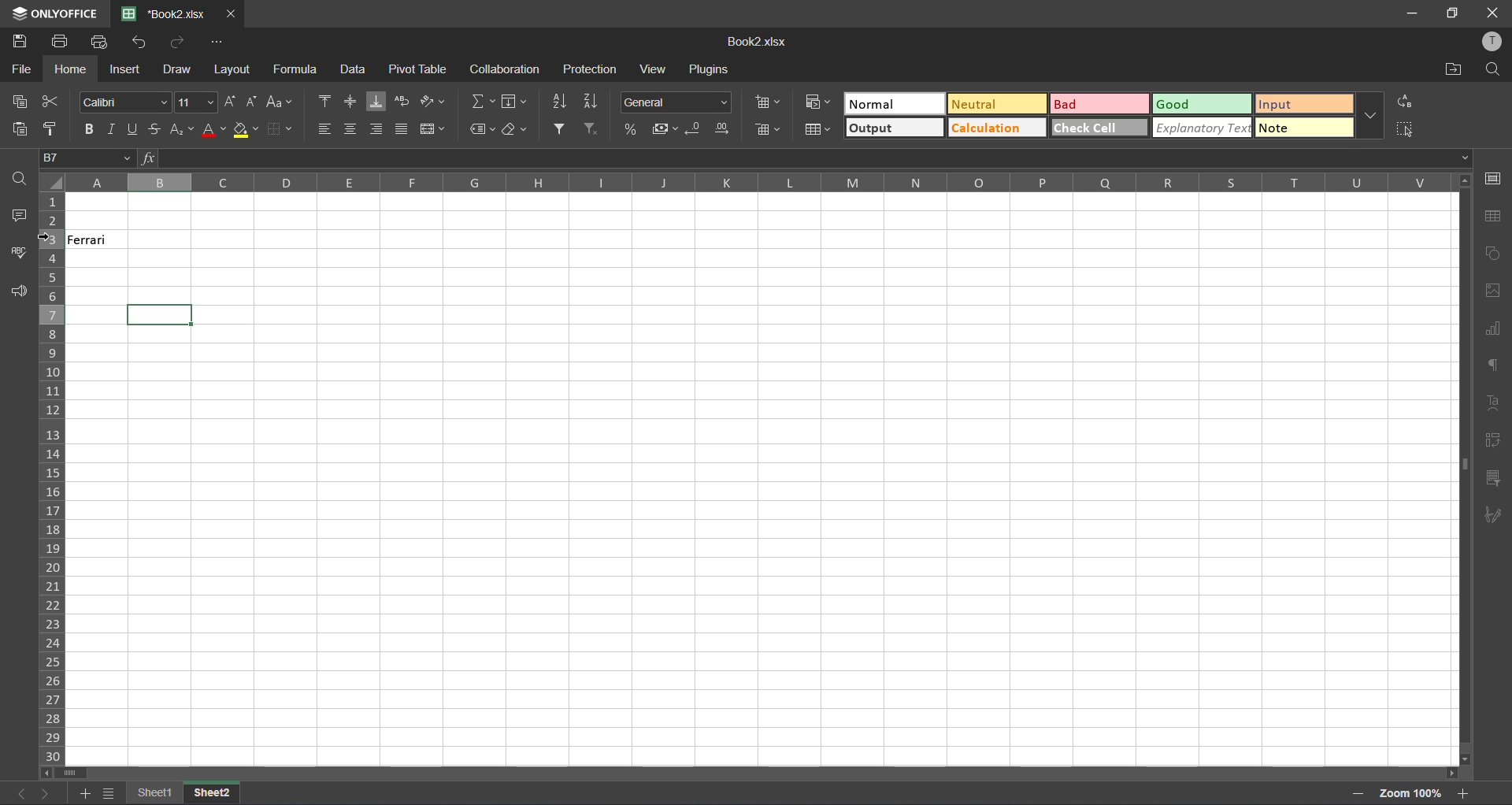  What do you see at coordinates (85, 793) in the screenshot?
I see `add sheet` at bounding box center [85, 793].